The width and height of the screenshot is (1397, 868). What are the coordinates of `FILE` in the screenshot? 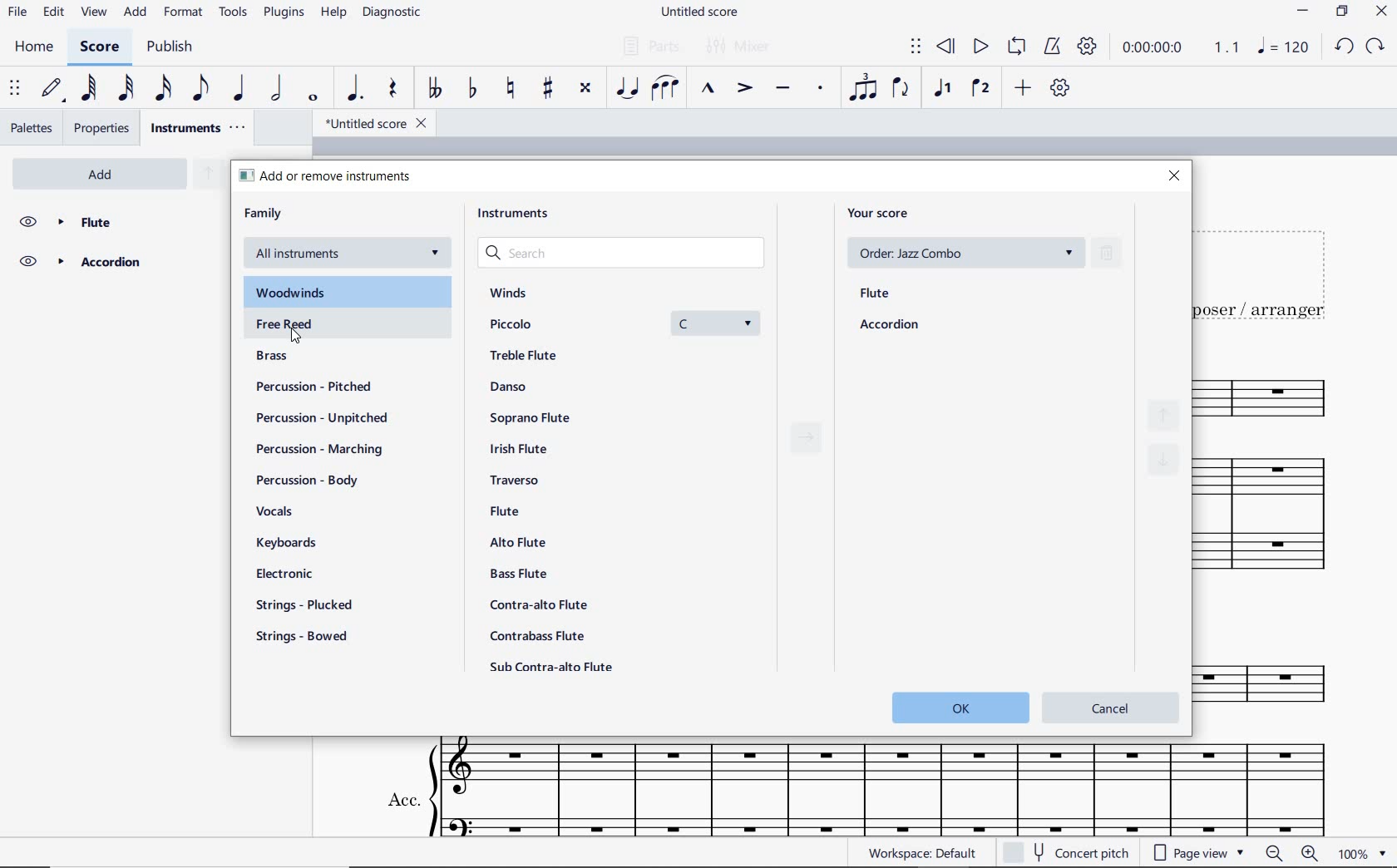 It's located at (17, 11).